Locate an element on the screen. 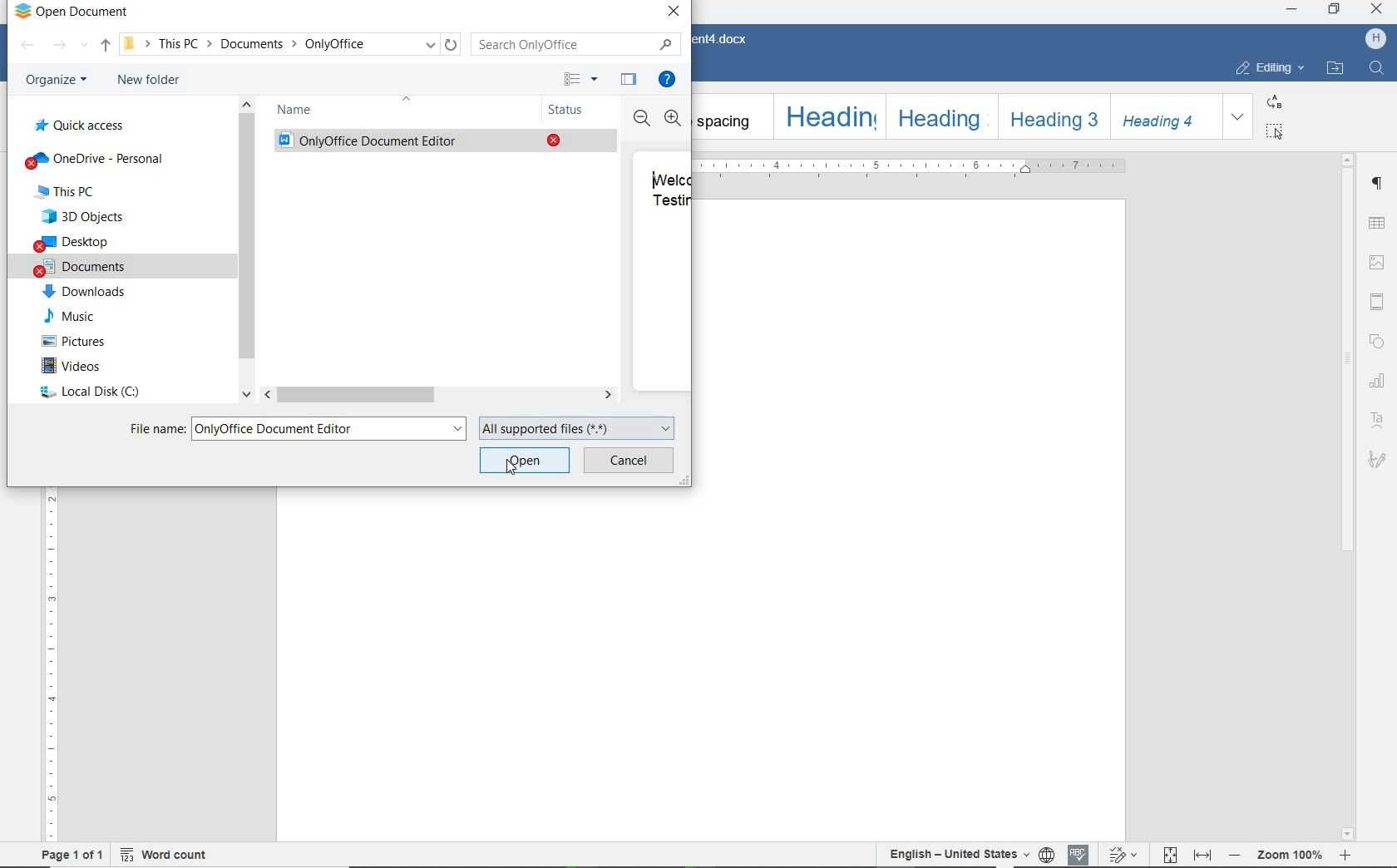  ruler is located at coordinates (912, 166).